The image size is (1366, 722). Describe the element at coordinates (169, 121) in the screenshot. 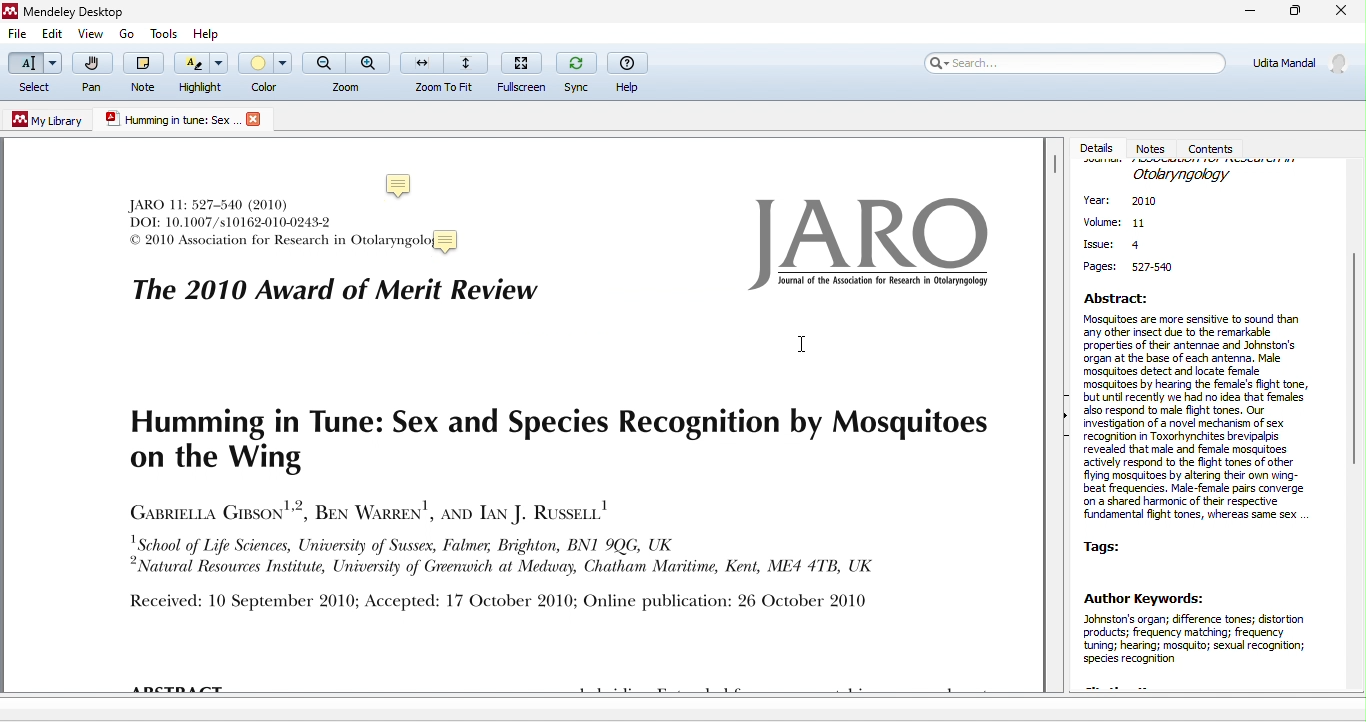

I see `pdf title` at that location.